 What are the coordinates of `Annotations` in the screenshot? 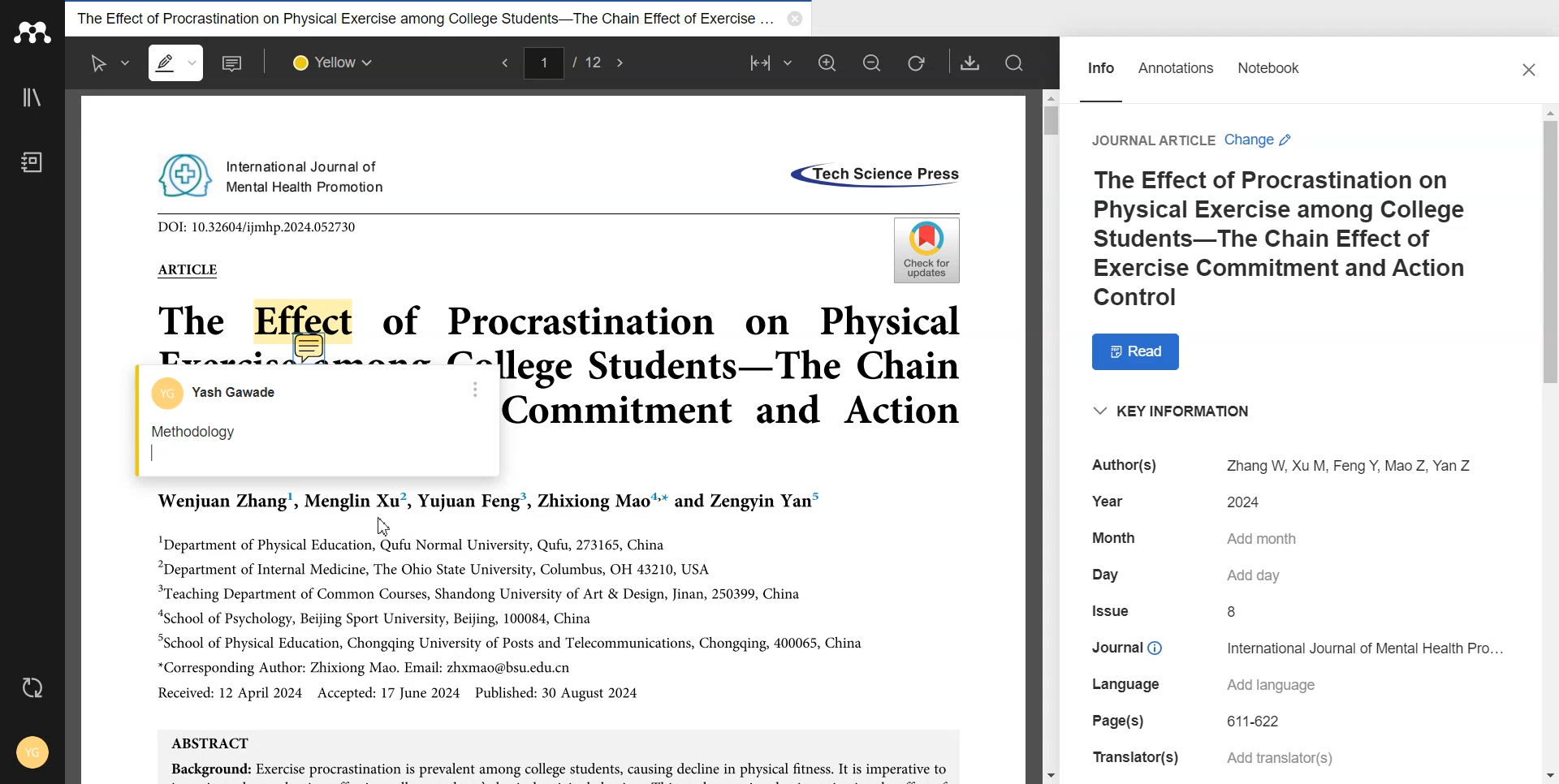 It's located at (1176, 72).